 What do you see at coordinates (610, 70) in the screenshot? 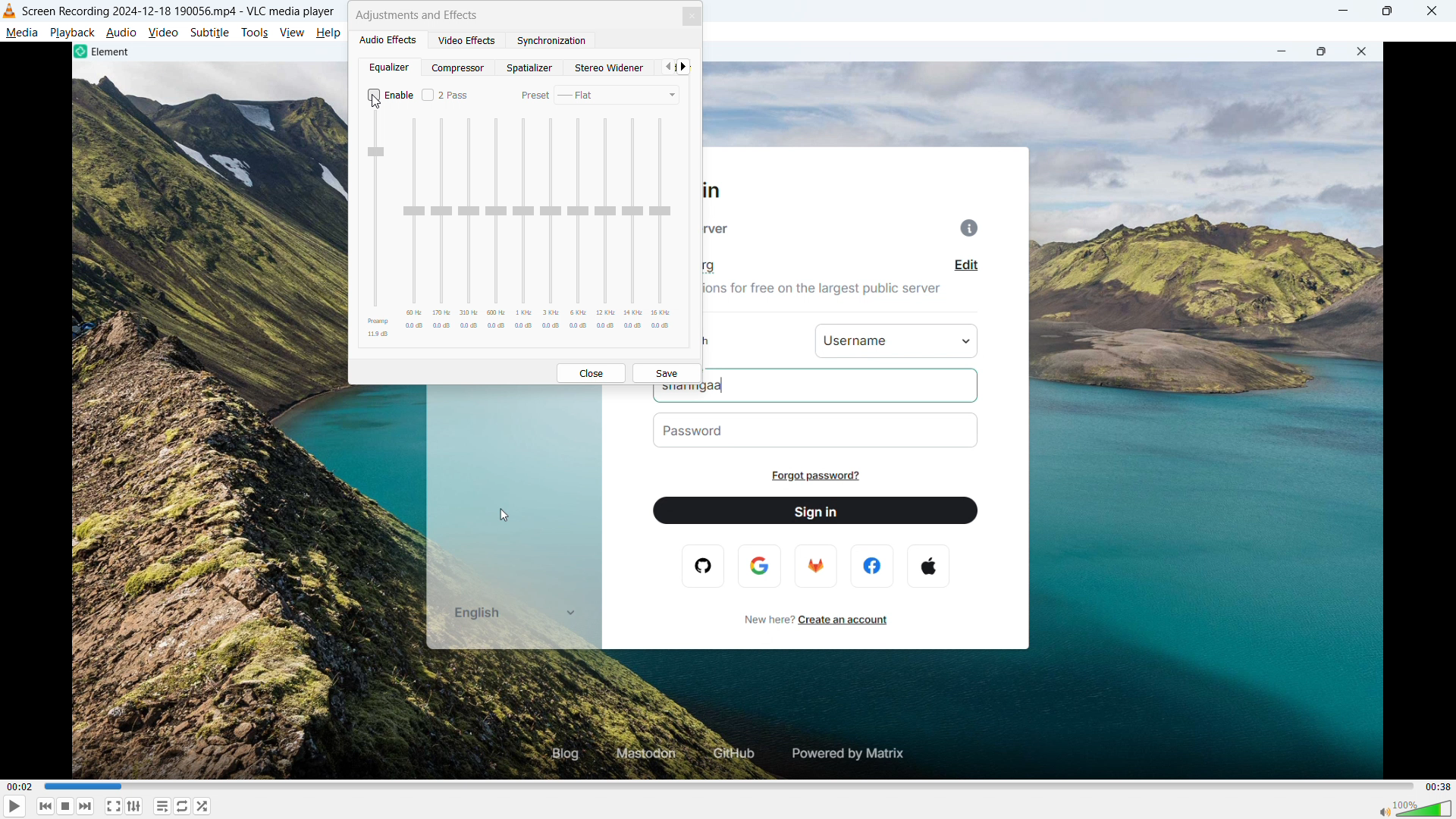
I see `Stereo widener ` at bounding box center [610, 70].